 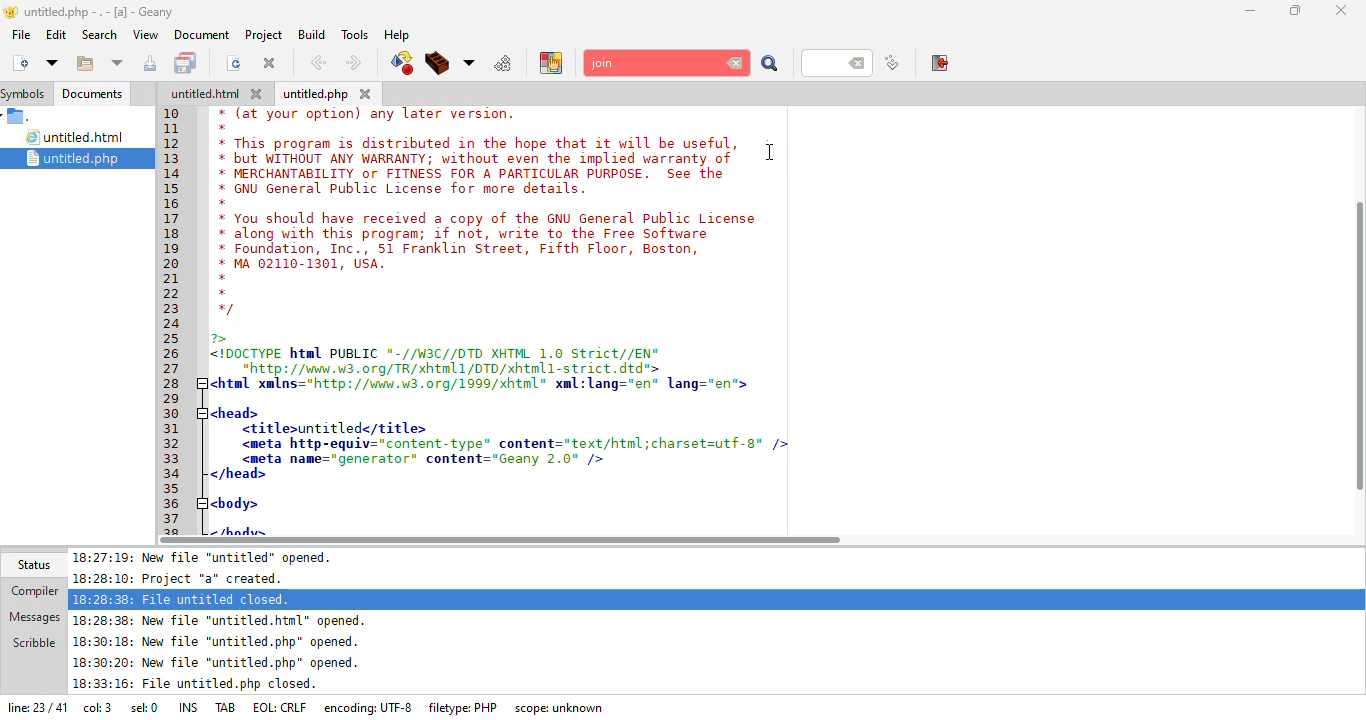 I want to click on <!DOCTYPE html PUBLIC "-//W3C//DTD XHTML 1.0 Strict//EN", so click(x=437, y=355).